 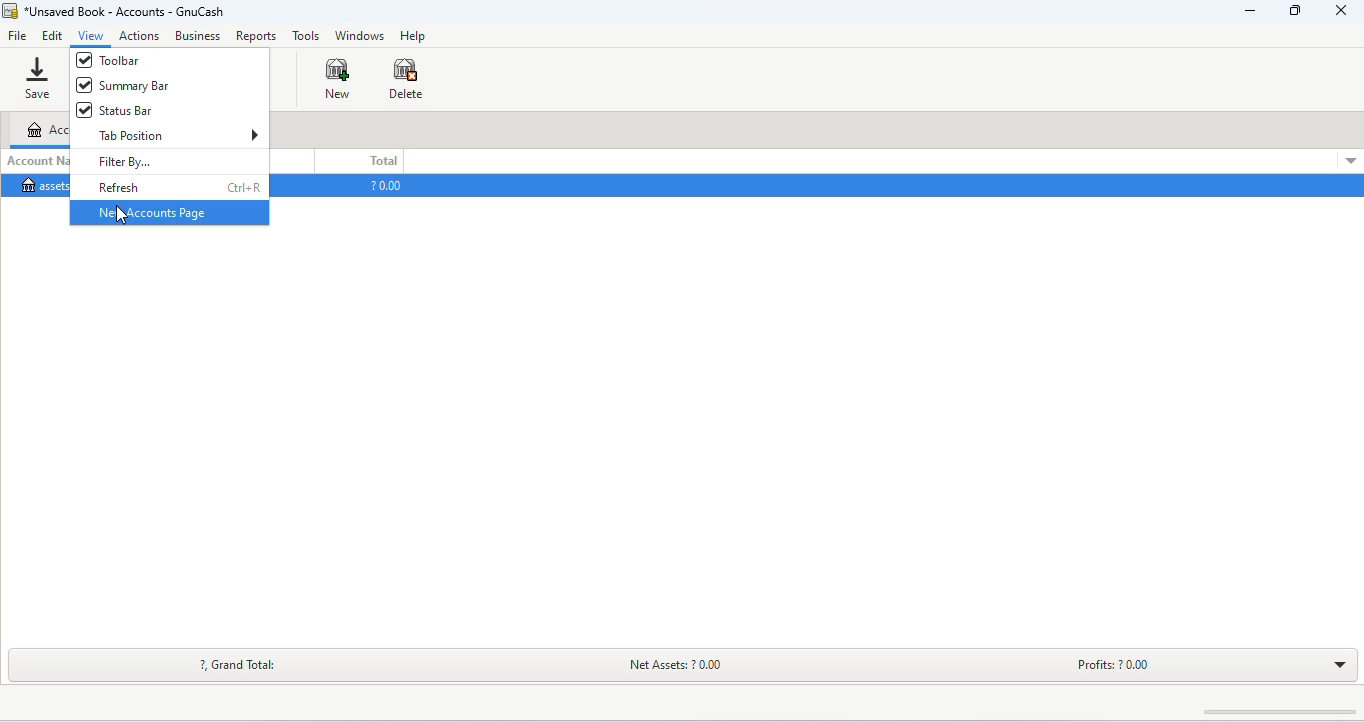 I want to click on save, so click(x=35, y=76).